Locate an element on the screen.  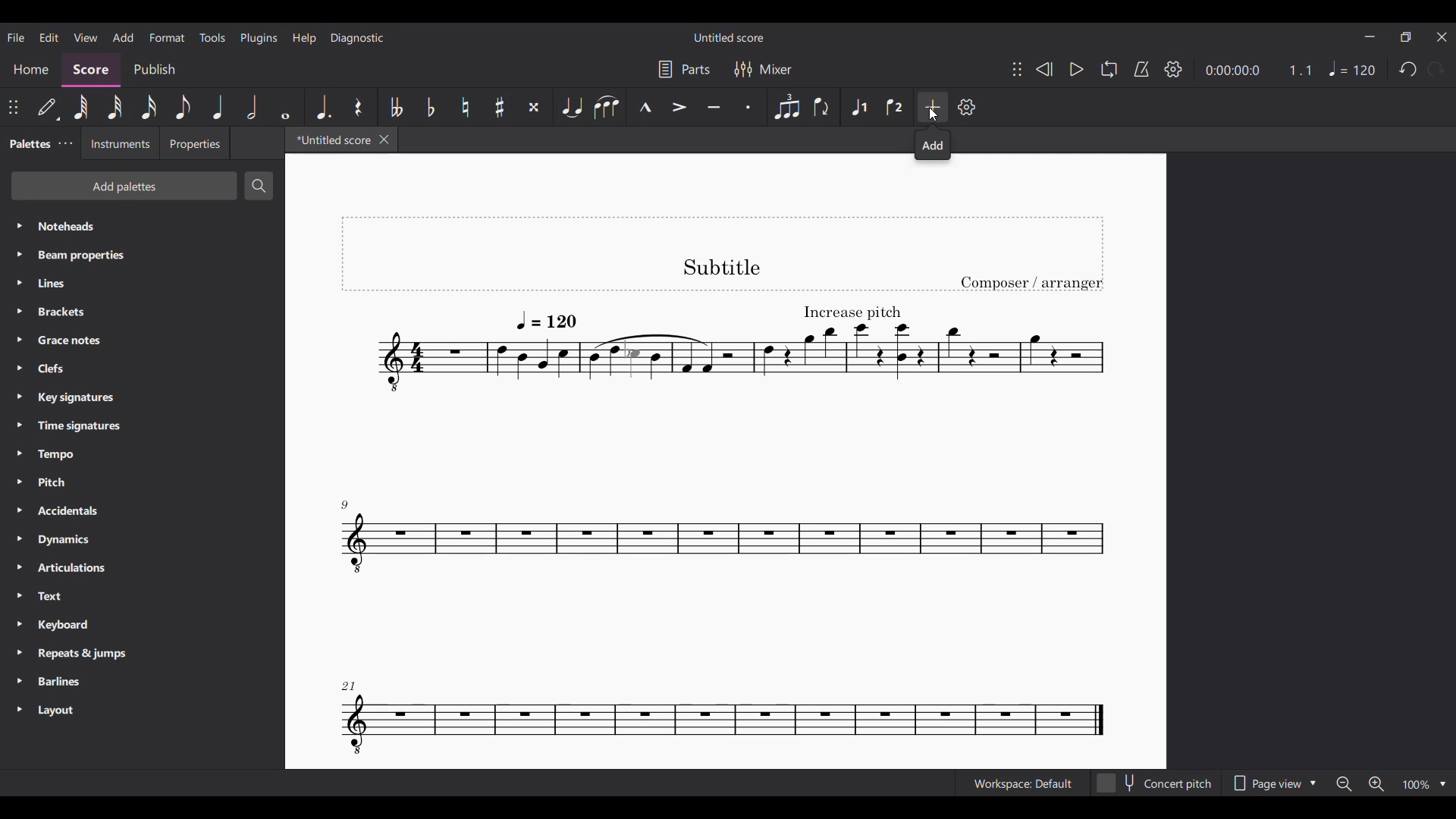
Mixer settings is located at coordinates (764, 70).